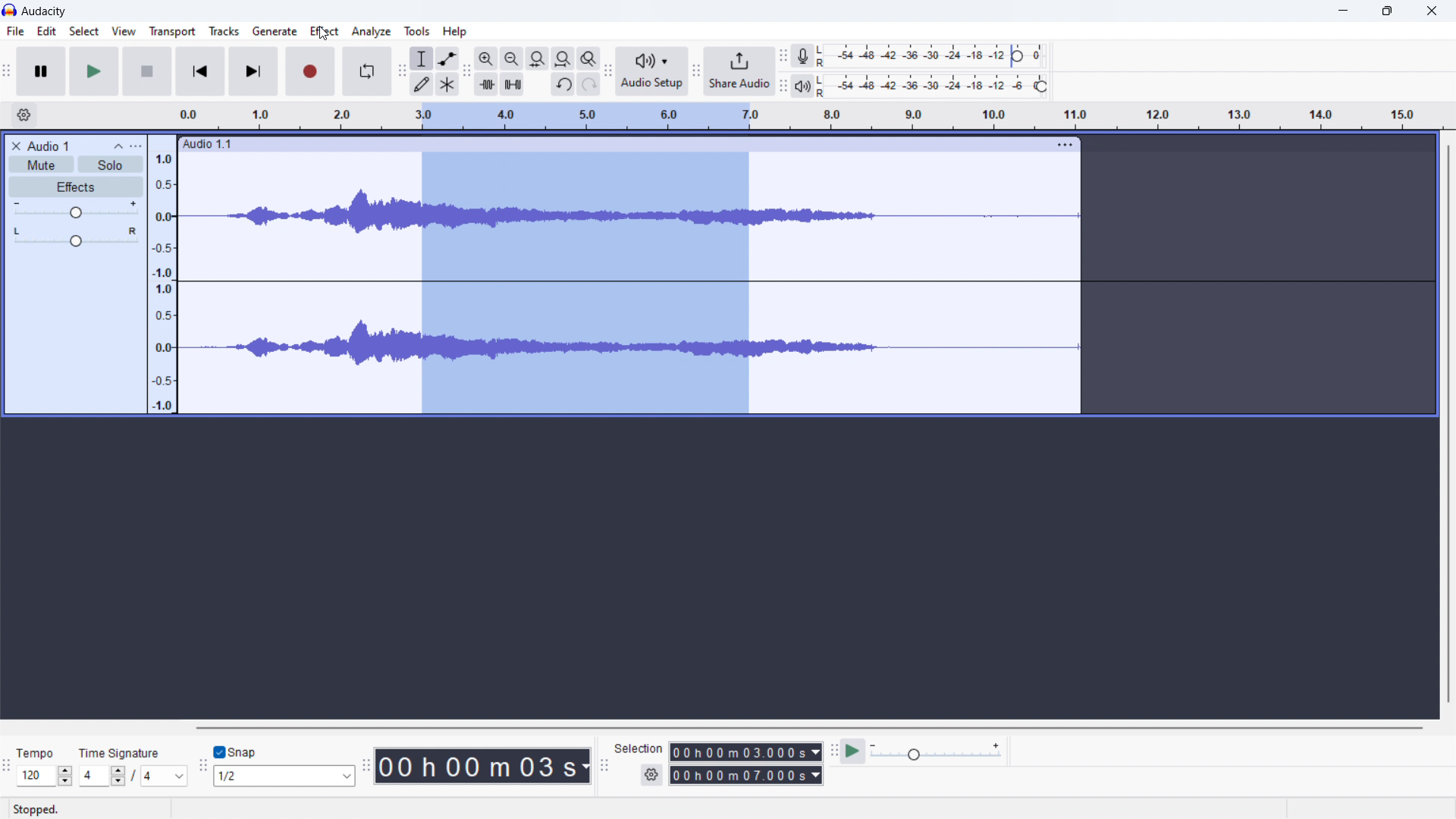  What do you see at coordinates (45, 776) in the screenshot?
I see `120` at bounding box center [45, 776].